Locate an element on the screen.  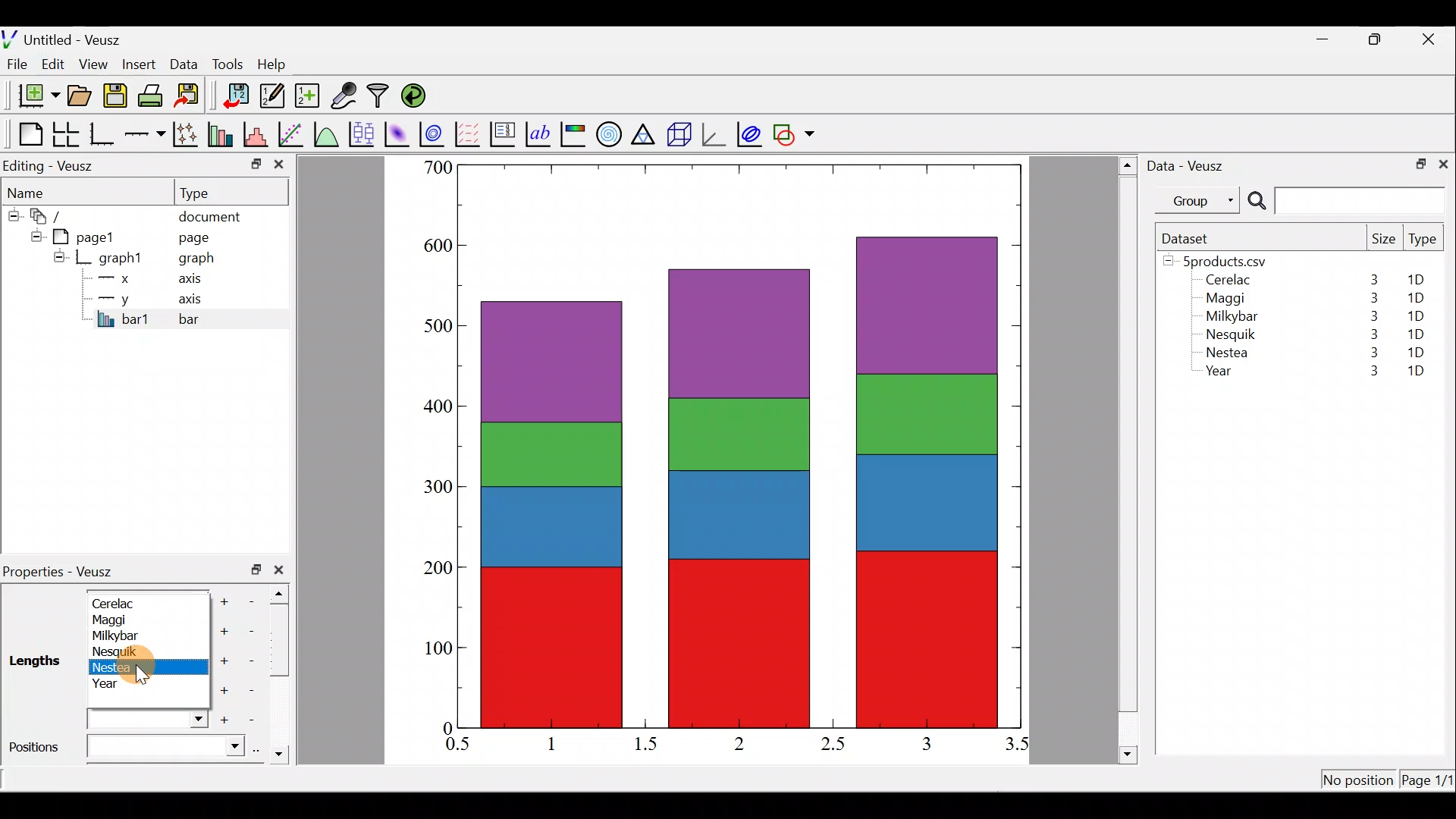
Image color bar is located at coordinates (574, 133).